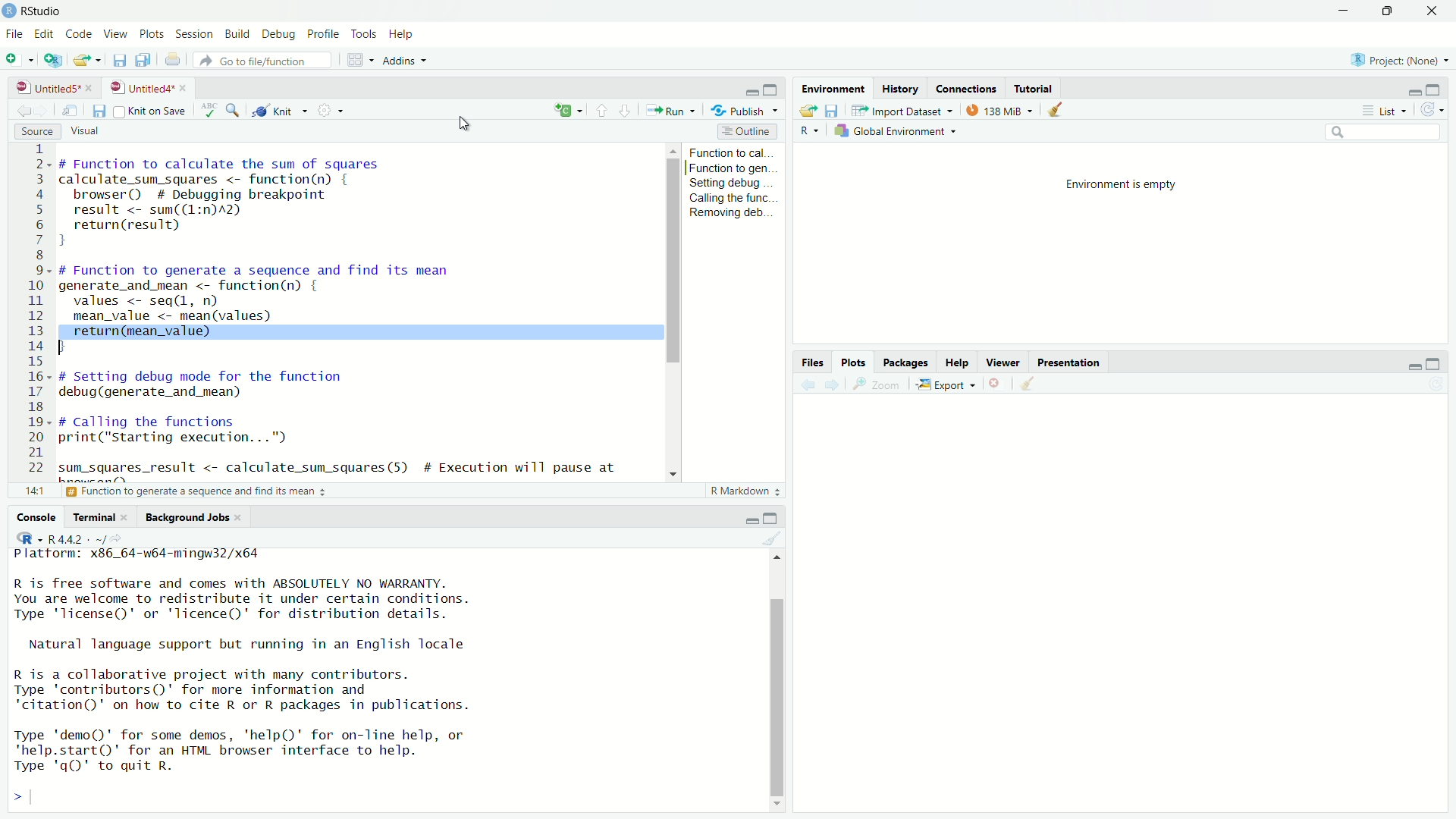 This screenshot has width=1456, height=819. What do you see at coordinates (813, 362) in the screenshot?
I see `files` at bounding box center [813, 362].